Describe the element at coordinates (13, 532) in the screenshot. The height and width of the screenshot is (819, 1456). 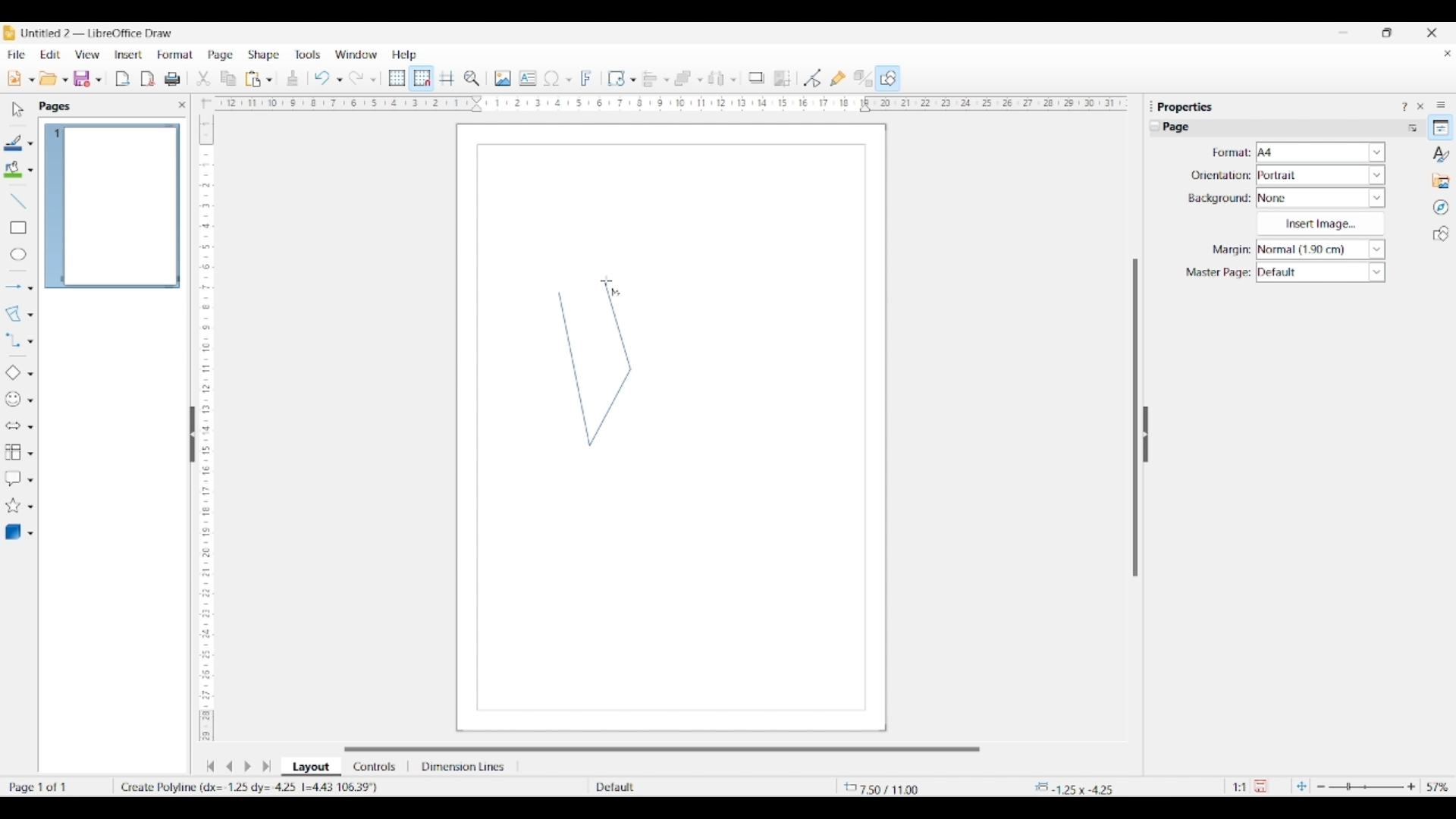
I see `Selected 3D object` at that location.